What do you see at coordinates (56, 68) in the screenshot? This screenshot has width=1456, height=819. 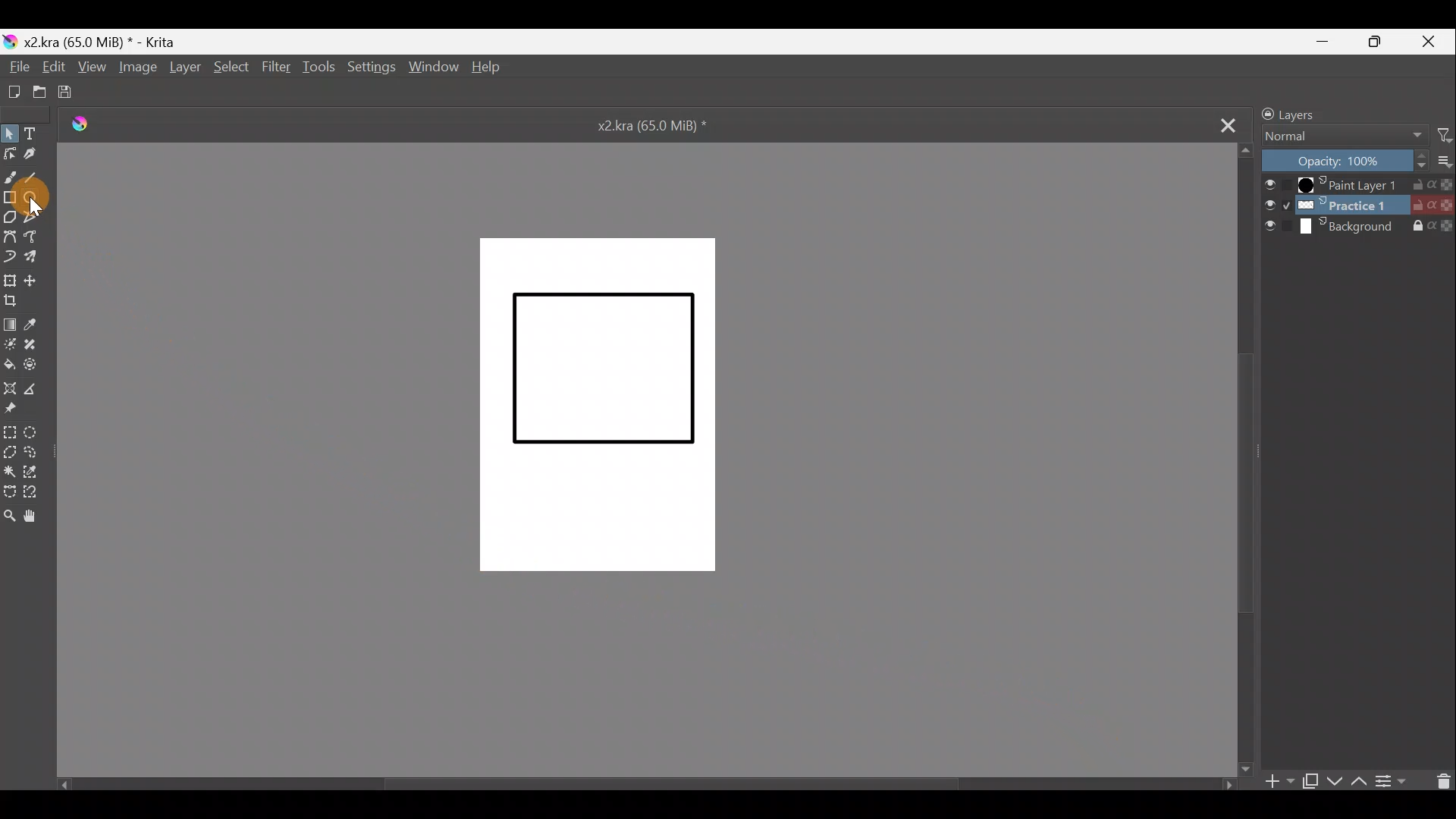 I see `Edit` at bounding box center [56, 68].